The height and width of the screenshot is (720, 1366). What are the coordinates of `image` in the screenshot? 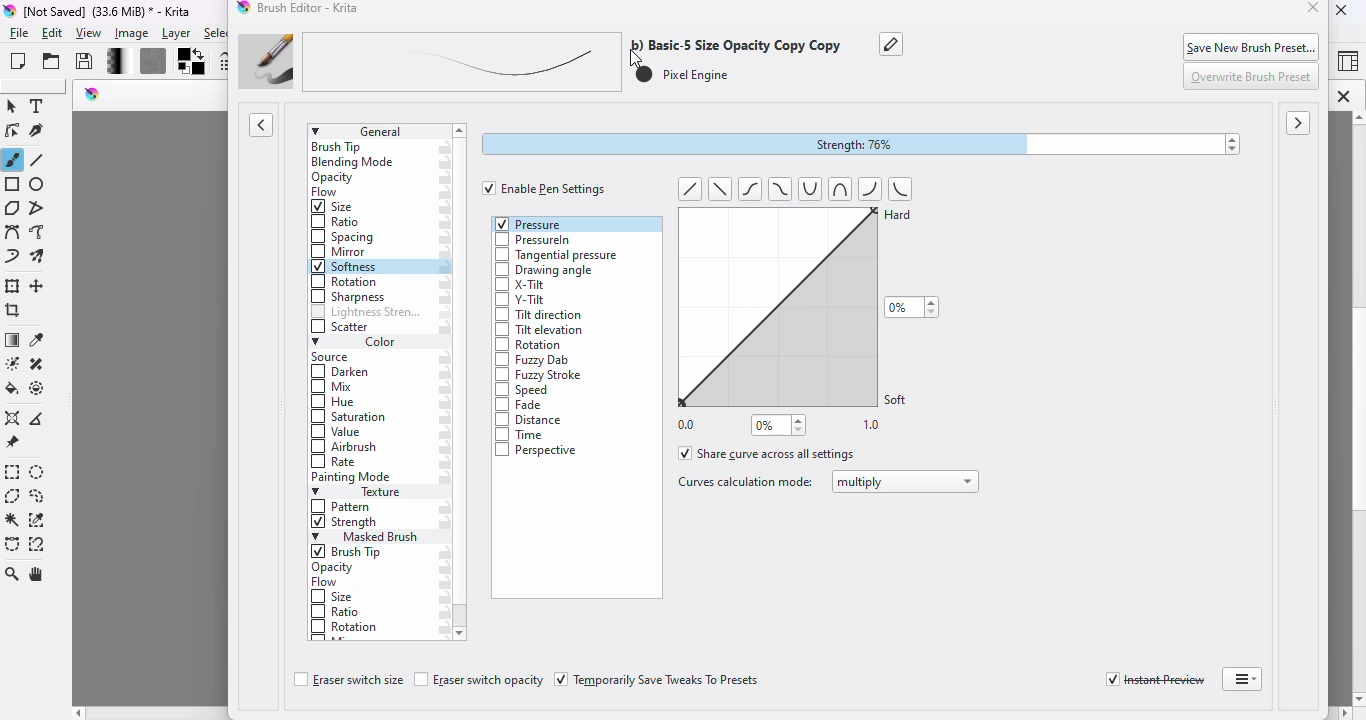 It's located at (132, 33).